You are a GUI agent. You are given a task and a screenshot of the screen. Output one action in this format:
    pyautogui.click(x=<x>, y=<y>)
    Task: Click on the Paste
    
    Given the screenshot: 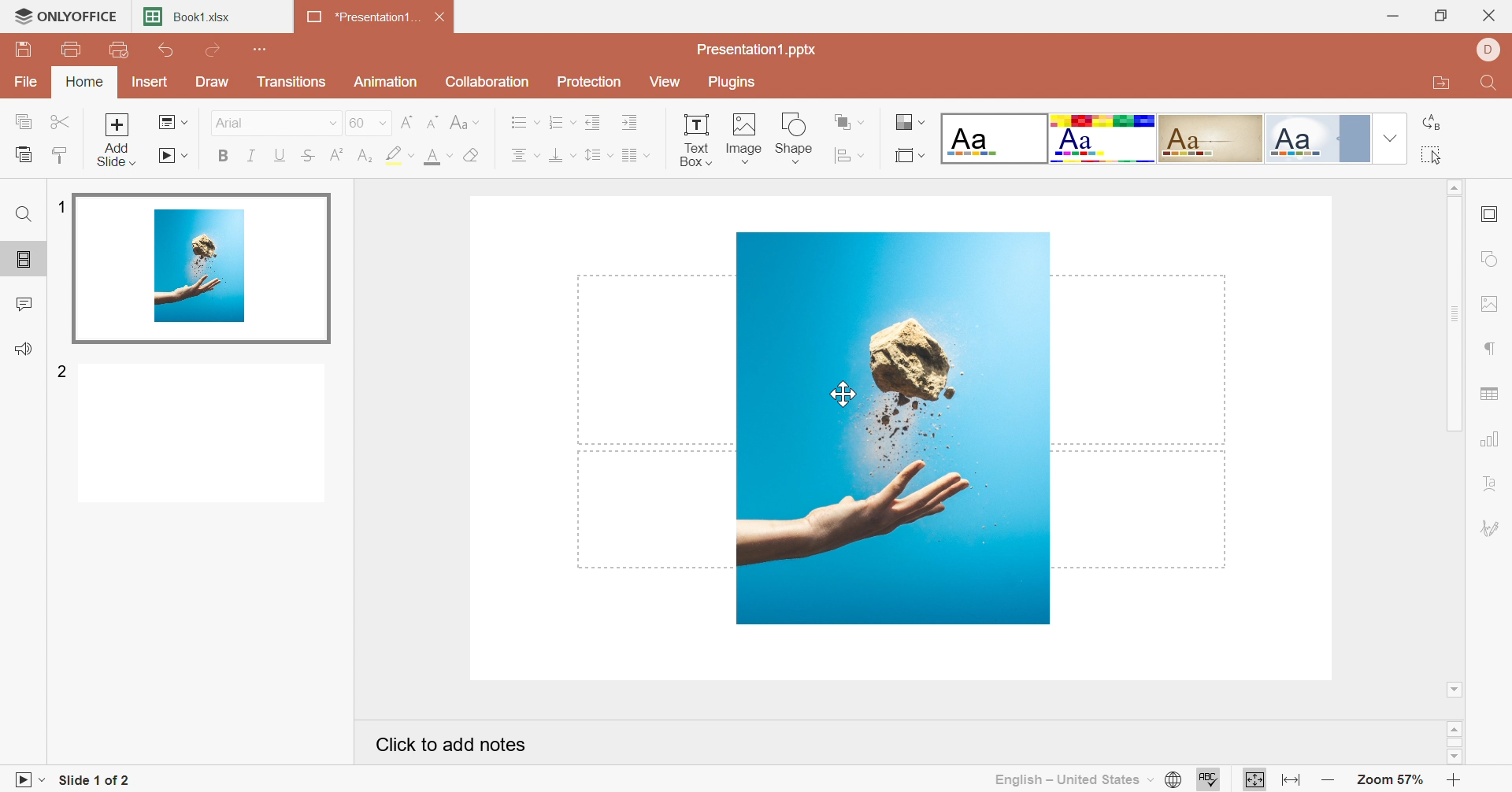 What is the action you would take?
    pyautogui.click(x=22, y=154)
    